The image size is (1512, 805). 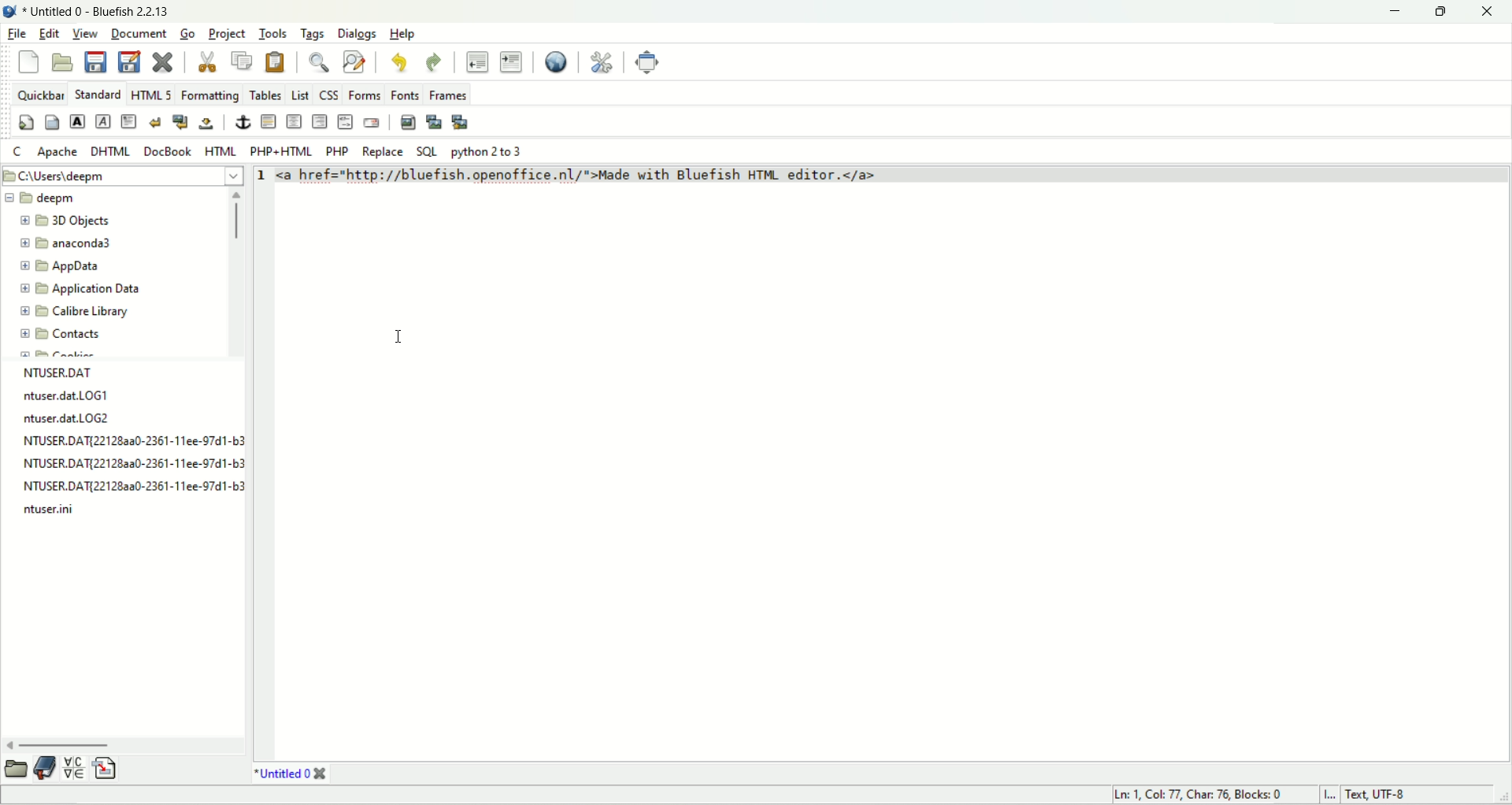 What do you see at coordinates (160, 63) in the screenshot?
I see `close current file` at bounding box center [160, 63].